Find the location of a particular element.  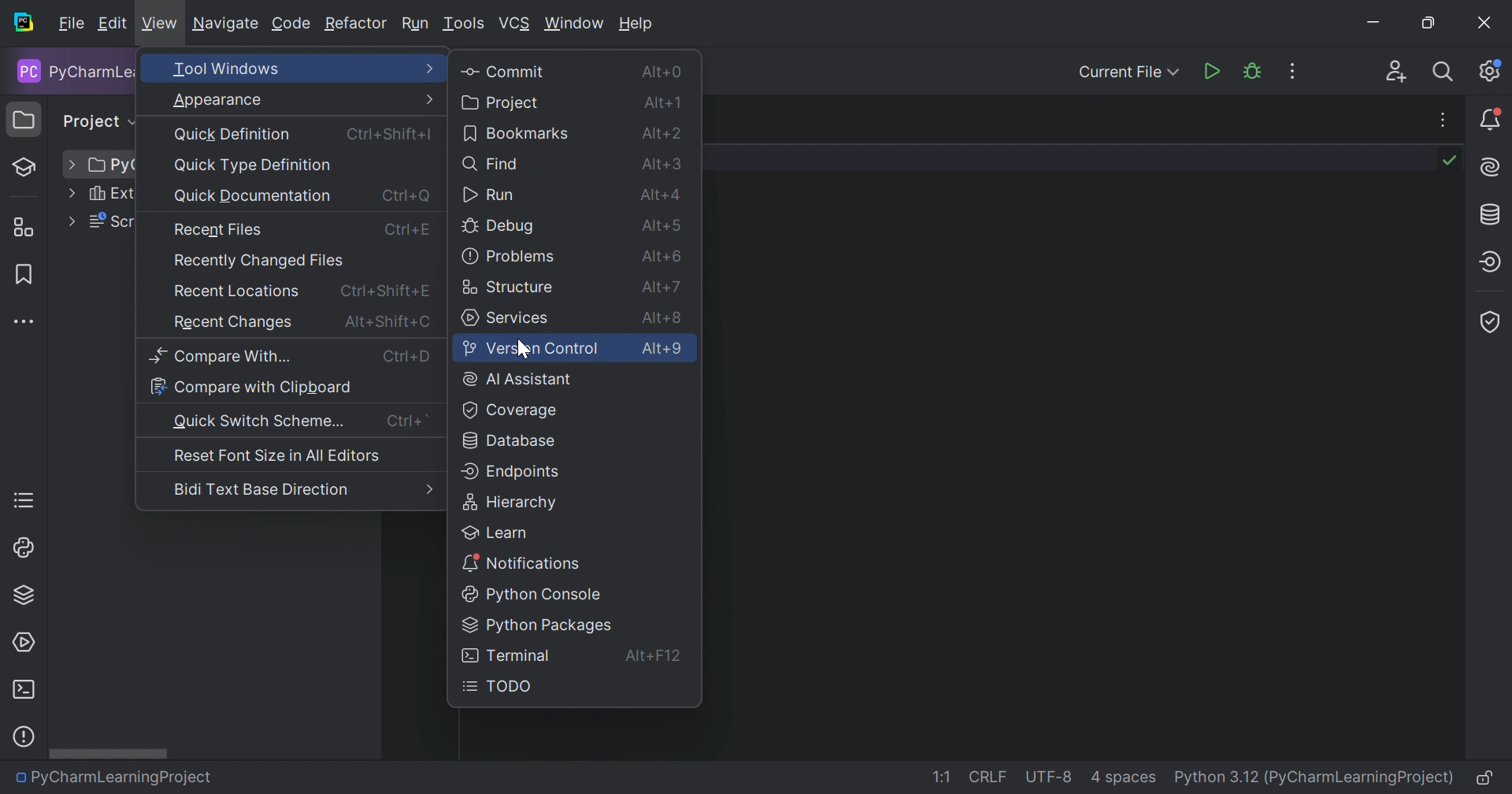

Bidi Text Base Direction is located at coordinates (261, 489).